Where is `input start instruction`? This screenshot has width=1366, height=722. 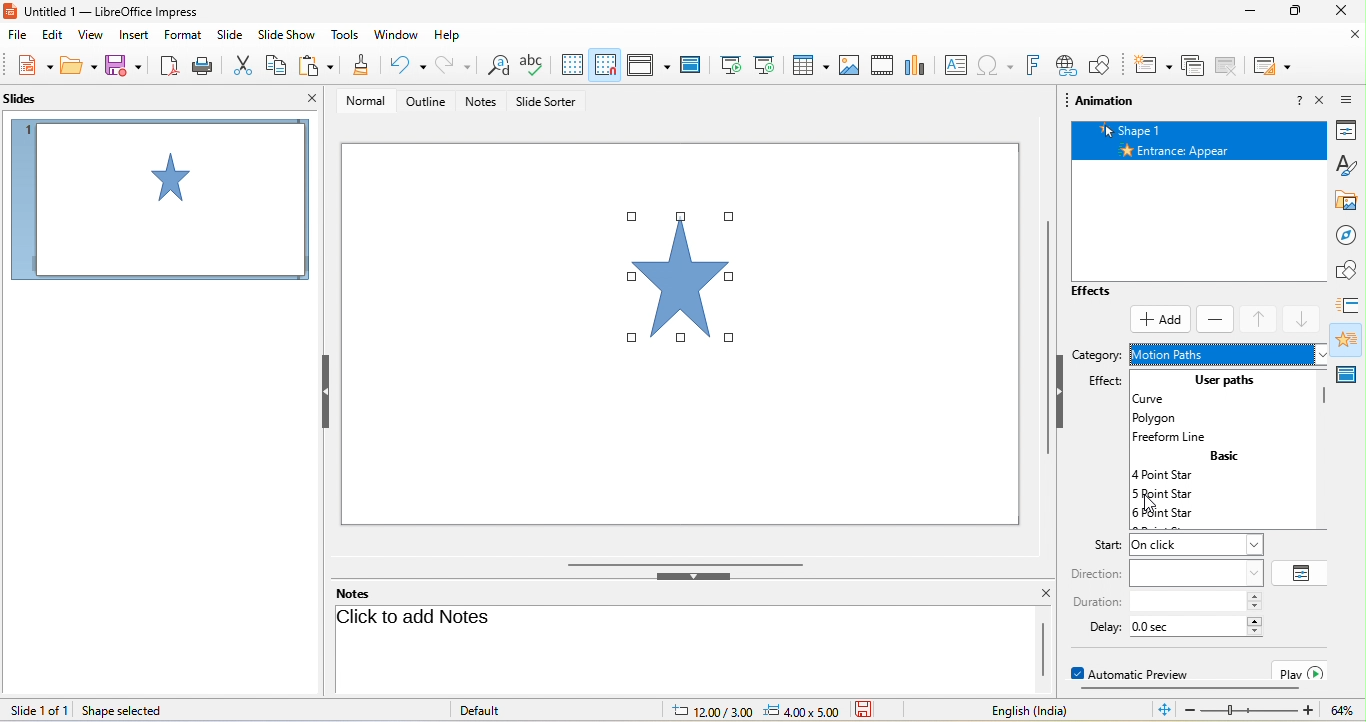 input start instruction is located at coordinates (1195, 545).